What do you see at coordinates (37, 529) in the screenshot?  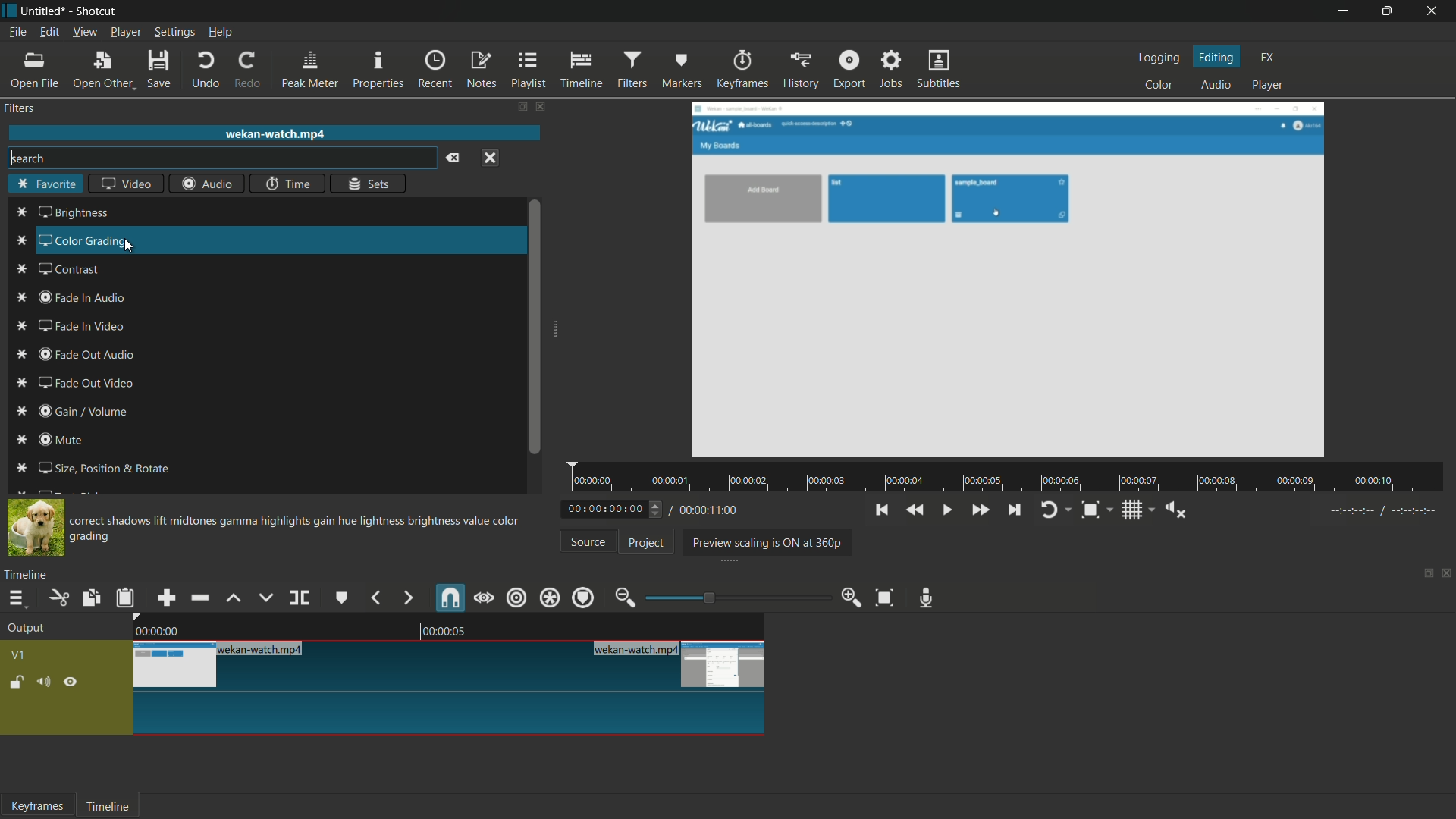 I see `preview filter` at bounding box center [37, 529].